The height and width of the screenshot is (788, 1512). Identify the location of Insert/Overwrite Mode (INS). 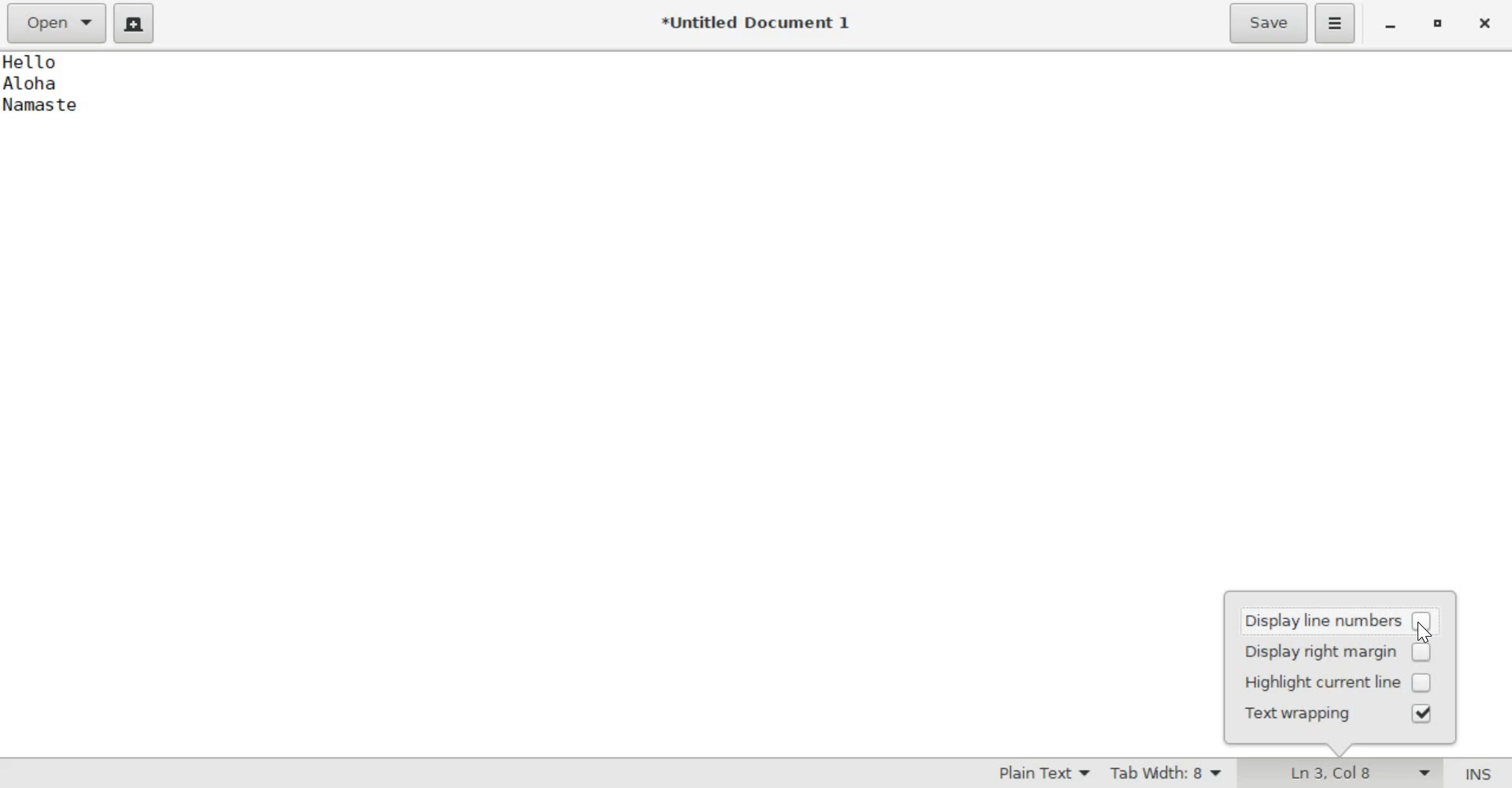
(1482, 773).